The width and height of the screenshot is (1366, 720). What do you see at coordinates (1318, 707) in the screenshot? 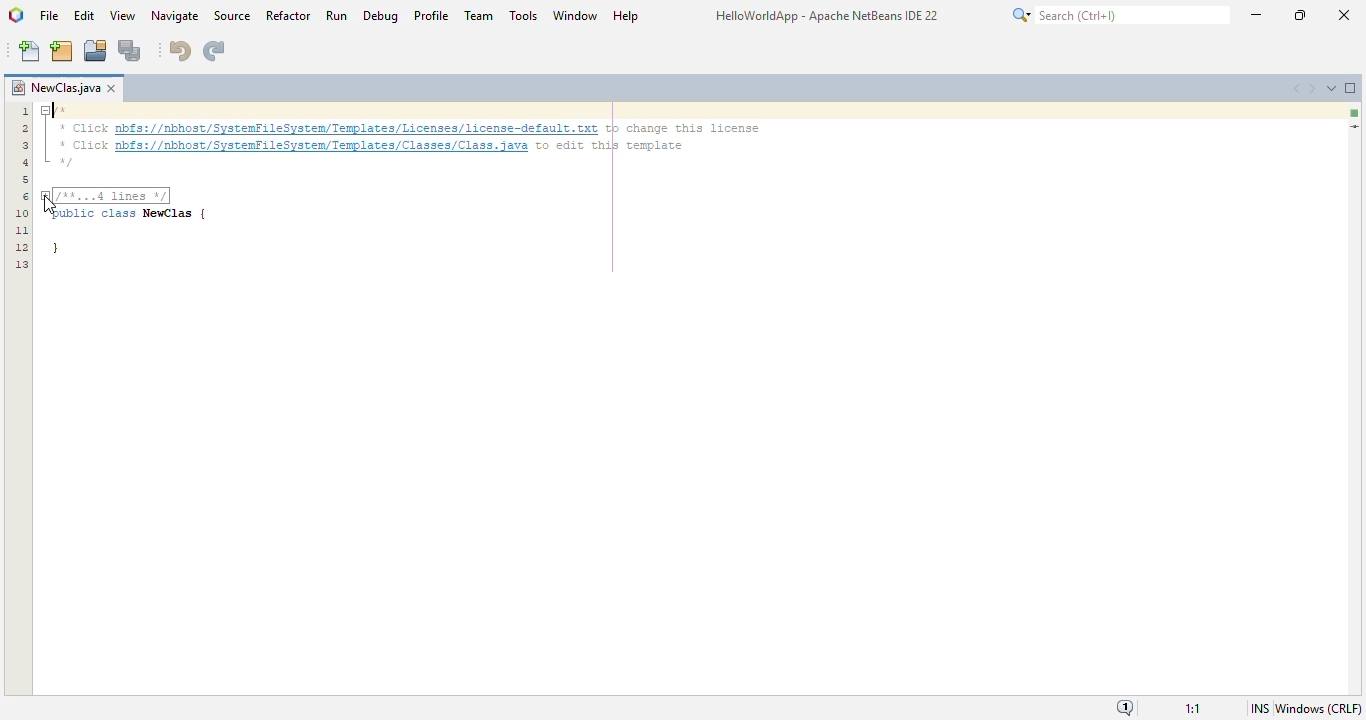
I see `Windows (CRLF)` at bounding box center [1318, 707].